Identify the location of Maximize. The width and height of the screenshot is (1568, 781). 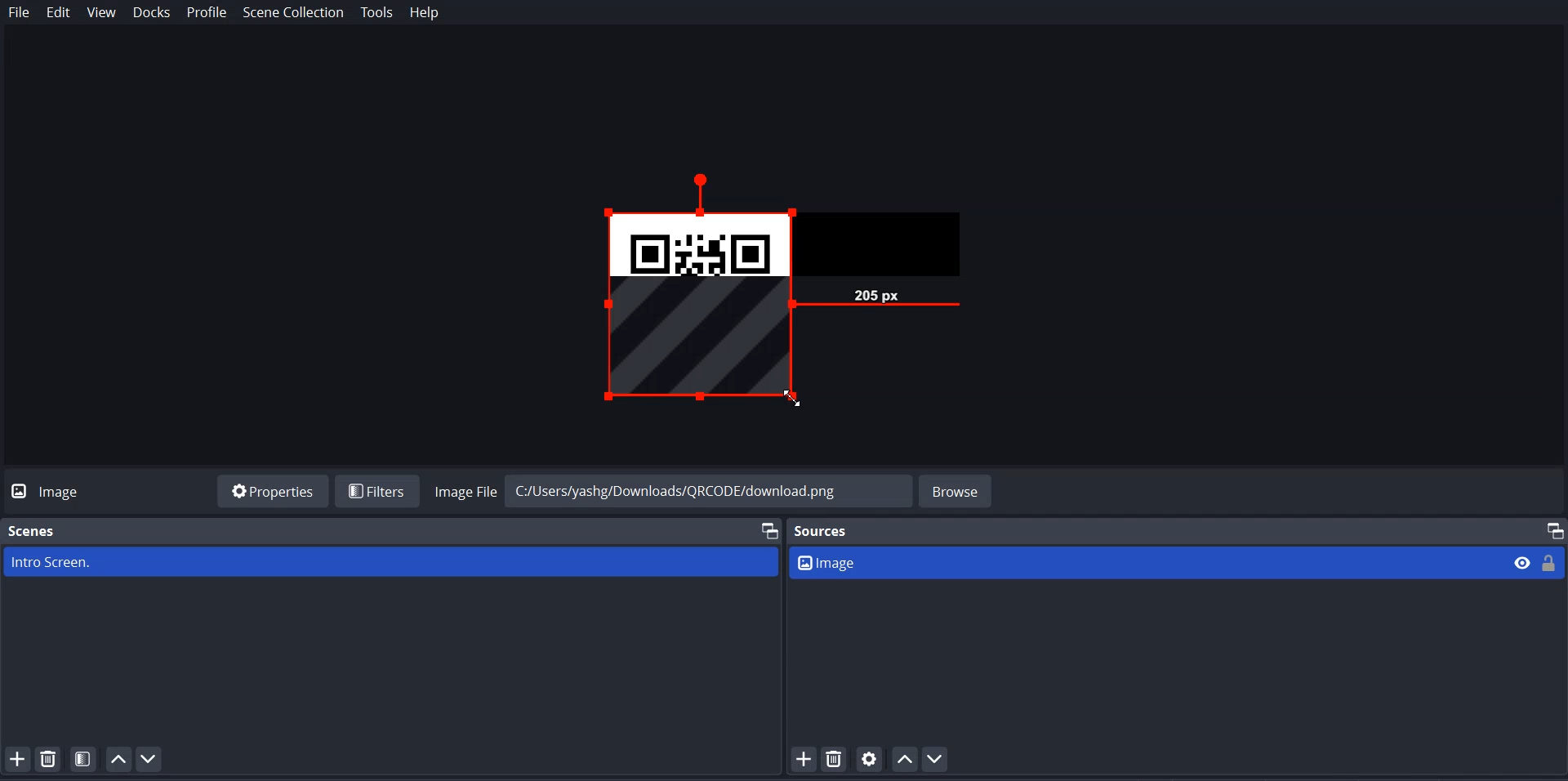
(767, 529).